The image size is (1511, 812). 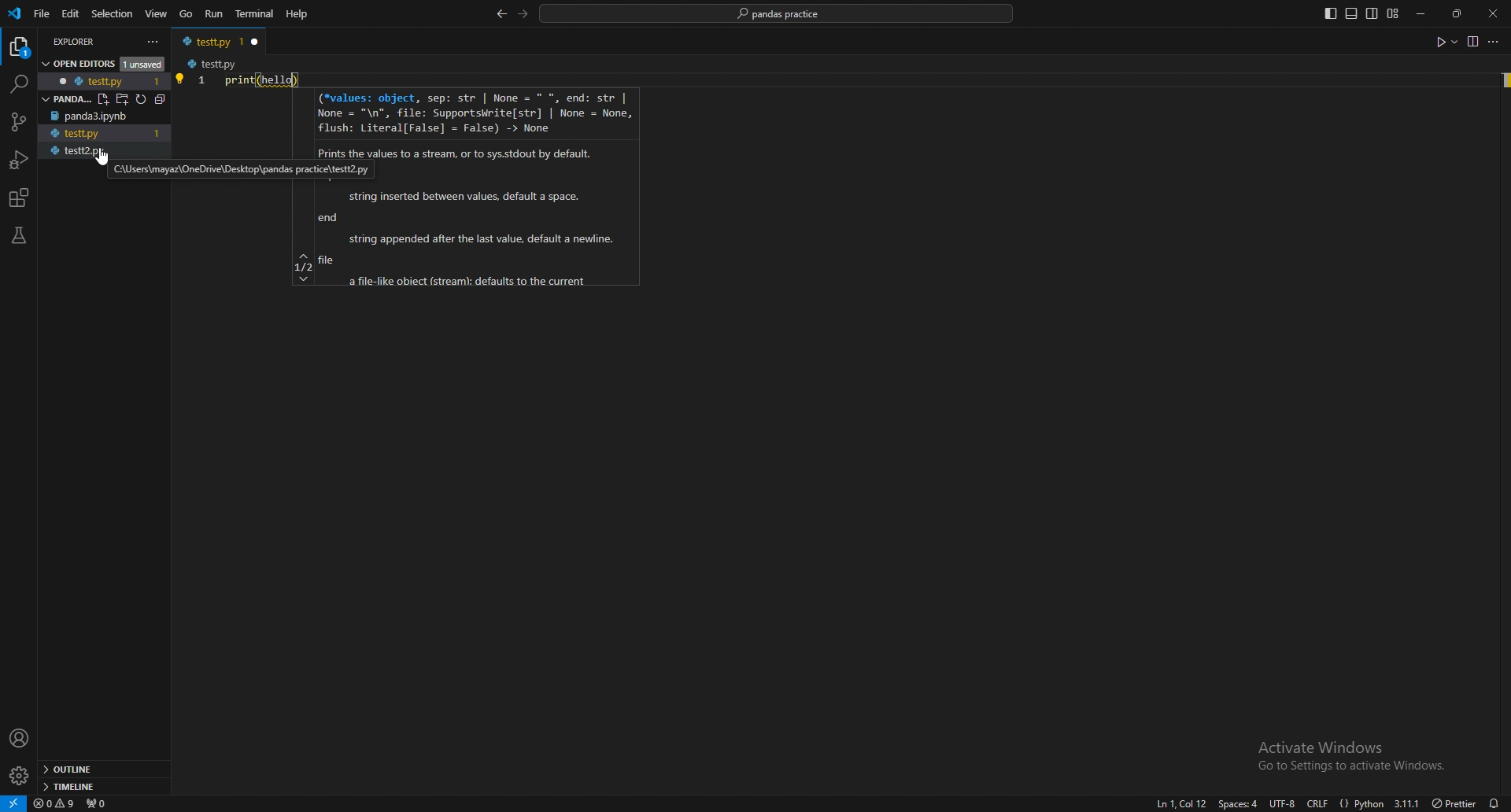 What do you see at coordinates (95, 97) in the screenshot?
I see `pandas practice` at bounding box center [95, 97].